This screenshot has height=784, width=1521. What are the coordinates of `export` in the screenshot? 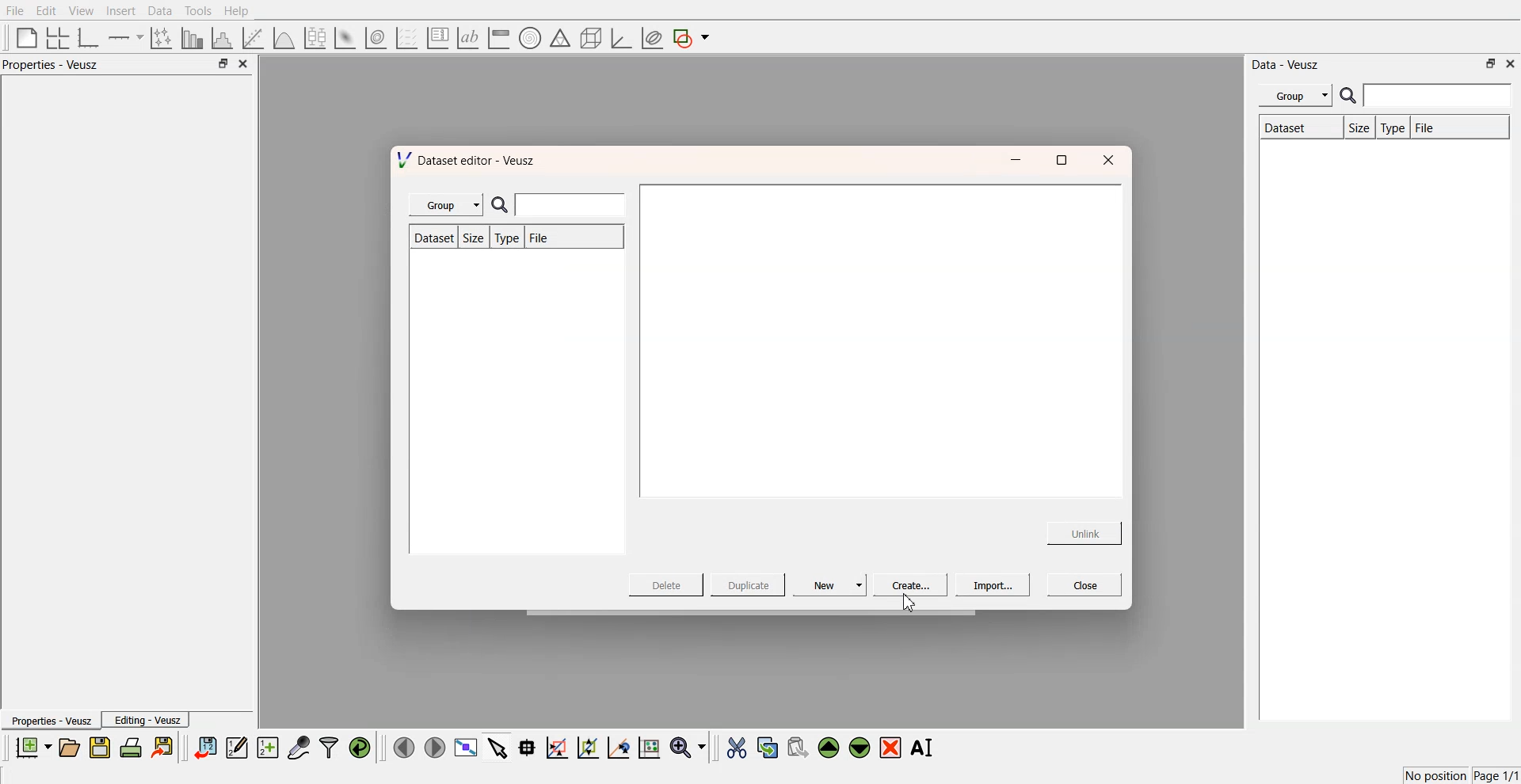 It's located at (164, 747).